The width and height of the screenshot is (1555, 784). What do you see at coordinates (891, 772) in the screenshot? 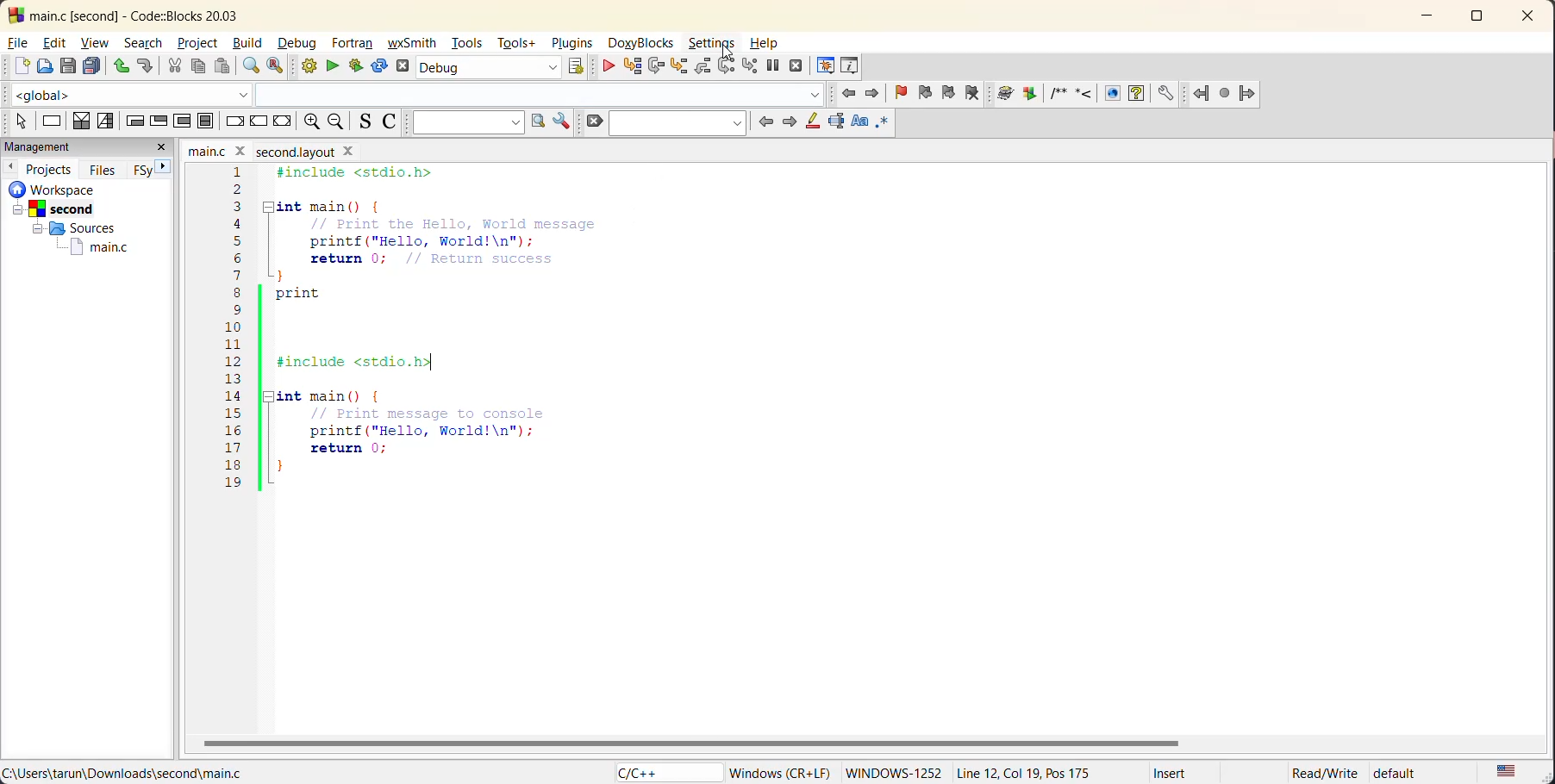
I see `windows` at bounding box center [891, 772].